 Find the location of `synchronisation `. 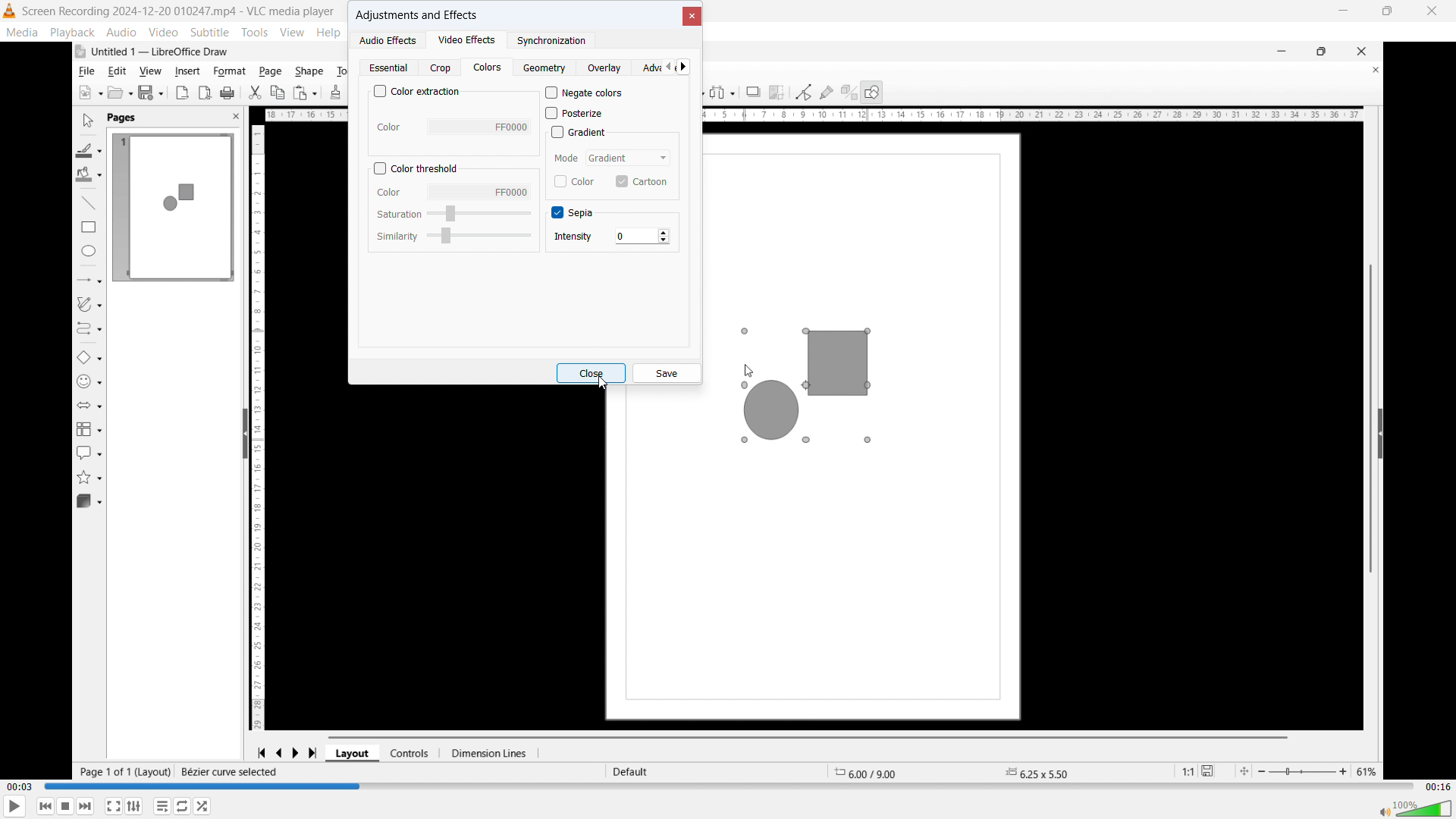

synchronisation  is located at coordinates (549, 40).